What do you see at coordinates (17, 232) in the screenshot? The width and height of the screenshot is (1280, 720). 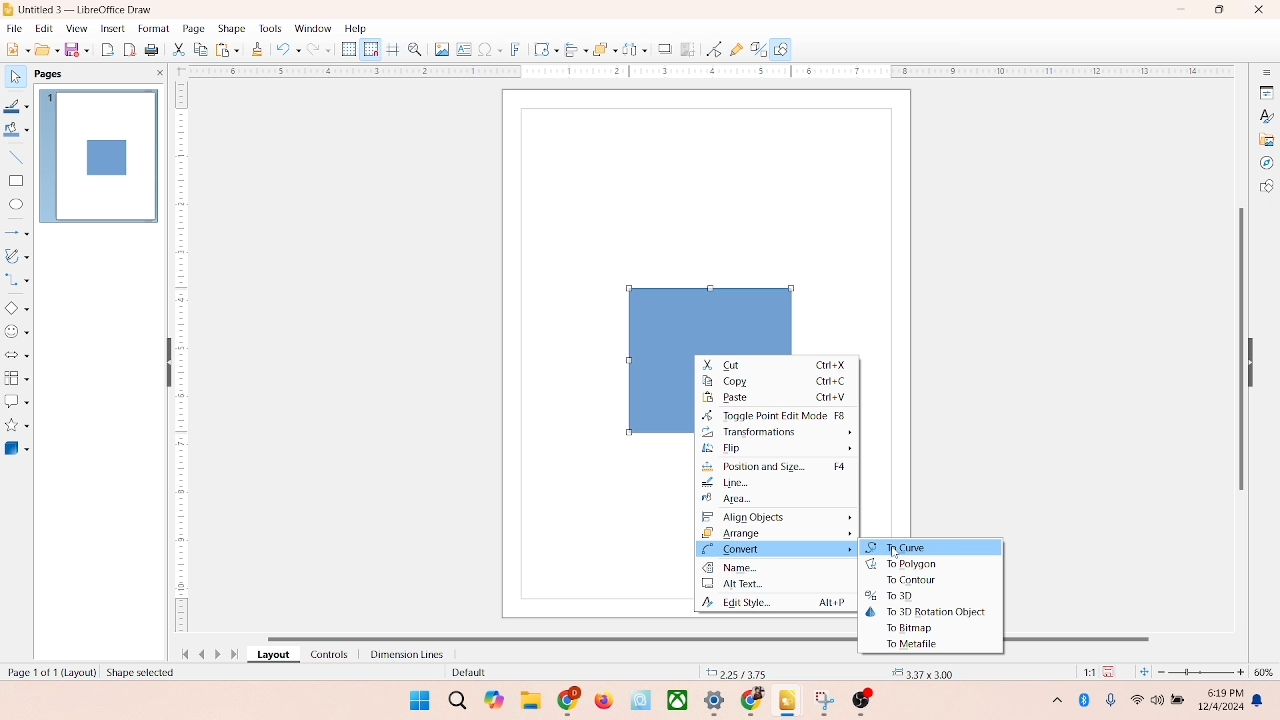 I see `lines and arrows` at bounding box center [17, 232].